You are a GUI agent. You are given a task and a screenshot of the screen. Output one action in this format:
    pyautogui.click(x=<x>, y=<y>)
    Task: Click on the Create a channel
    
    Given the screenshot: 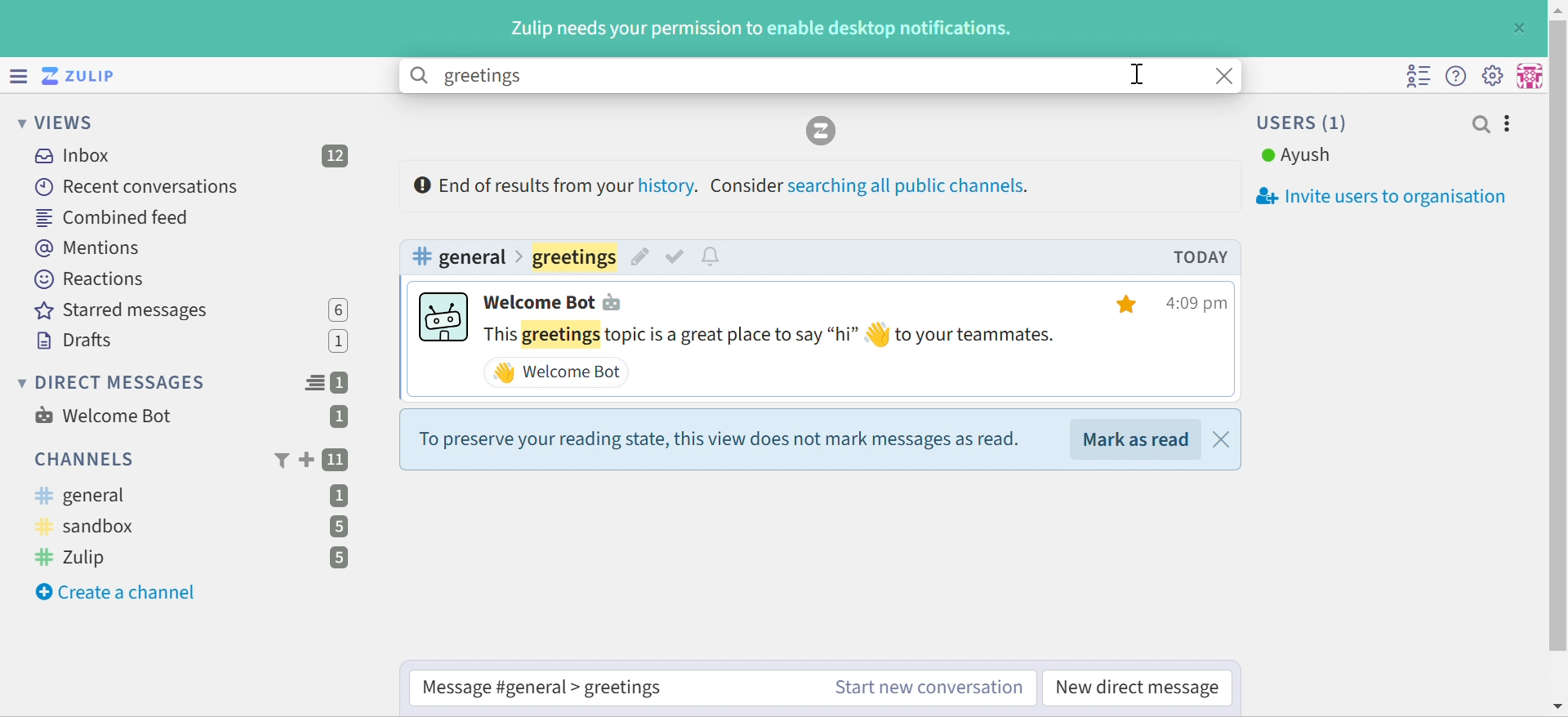 What is the action you would take?
    pyautogui.click(x=118, y=593)
    